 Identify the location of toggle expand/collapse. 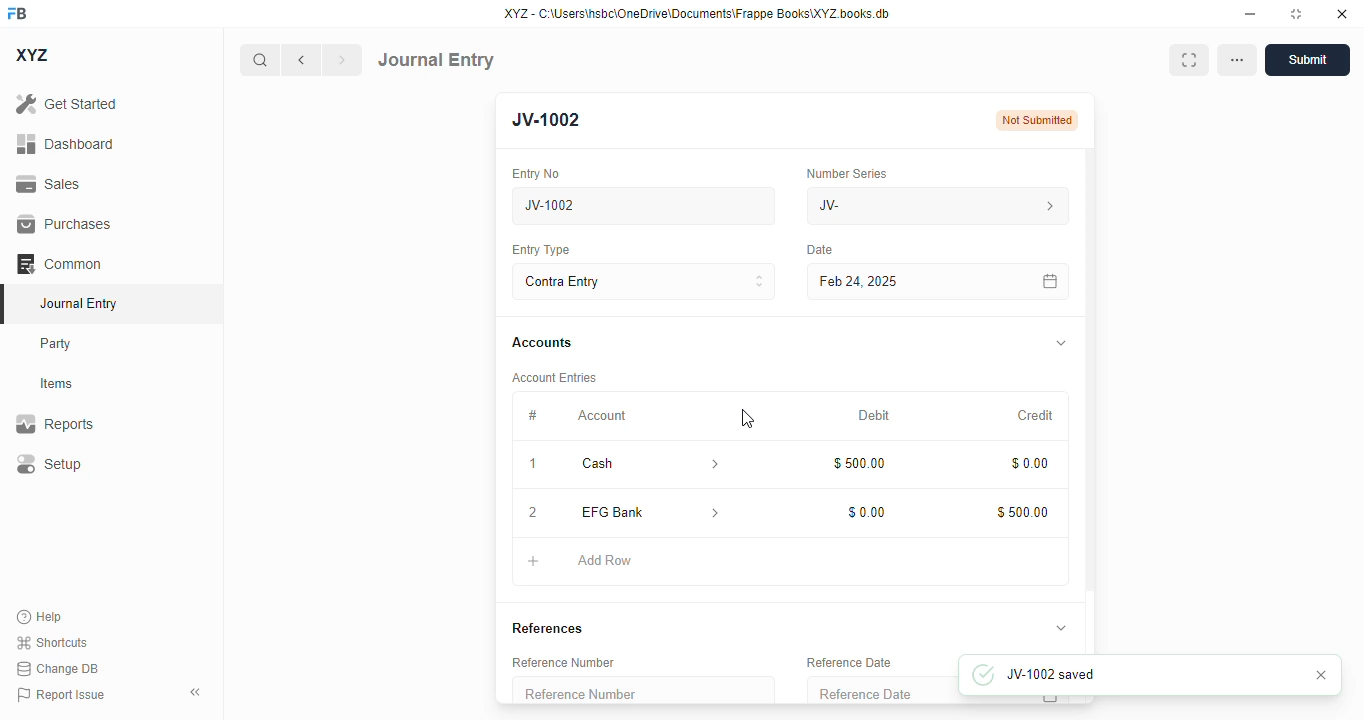
(1062, 342).